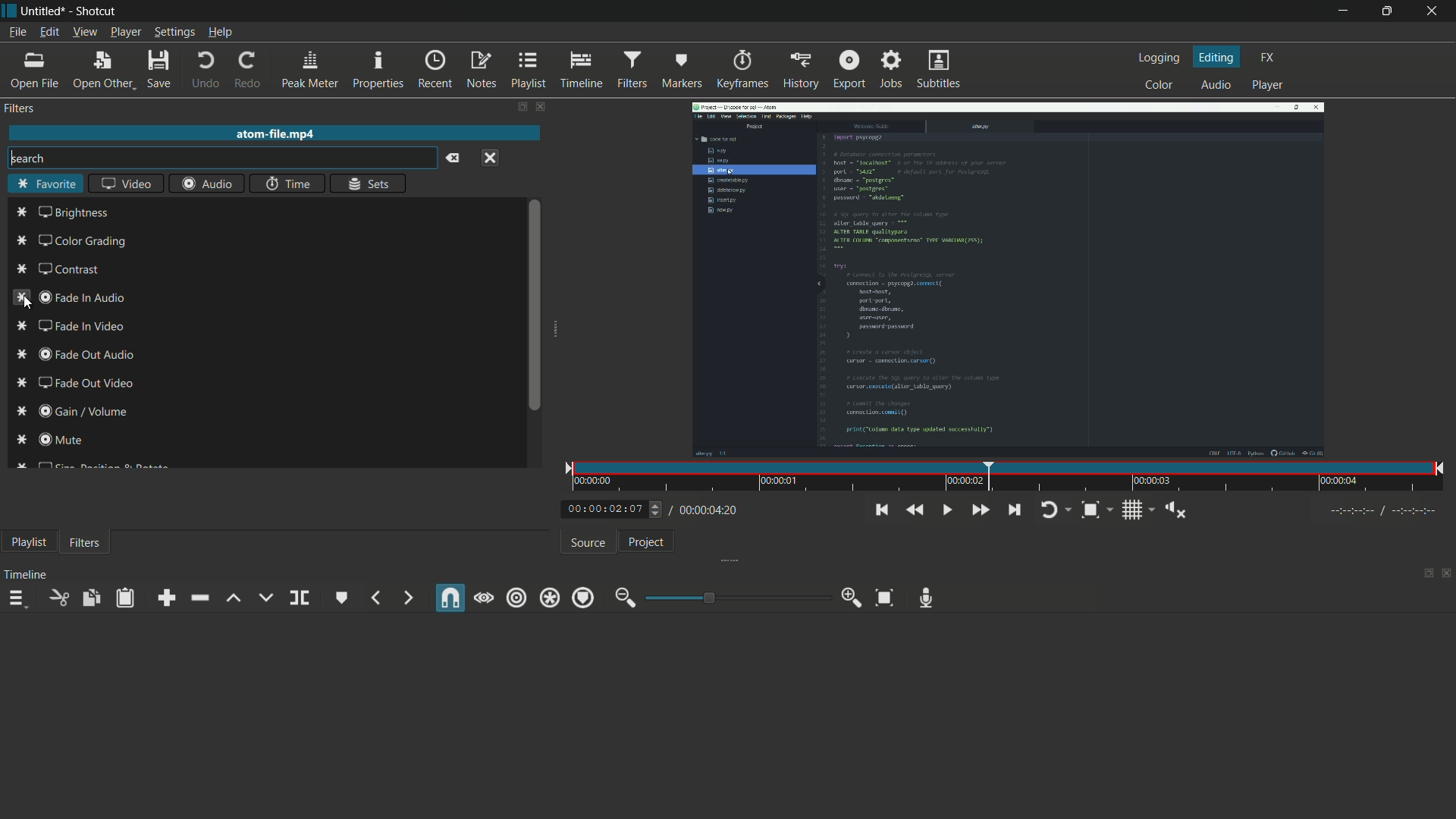 The height and width of the screenshot is (819, 1456). I want to click on video, so click(127, 185).